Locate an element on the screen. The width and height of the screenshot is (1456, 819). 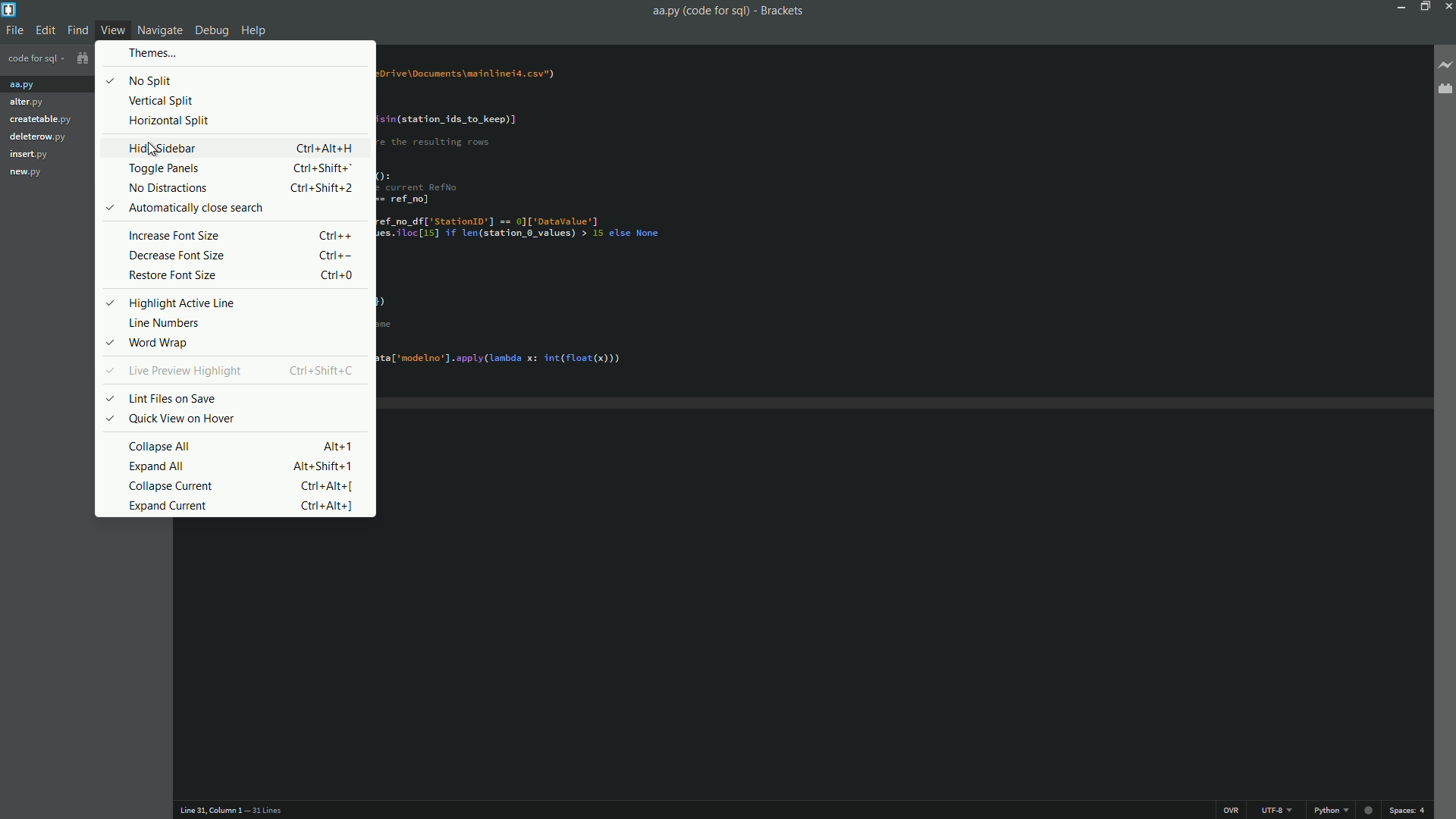
change file format button is located at coordinates (1332, 811).